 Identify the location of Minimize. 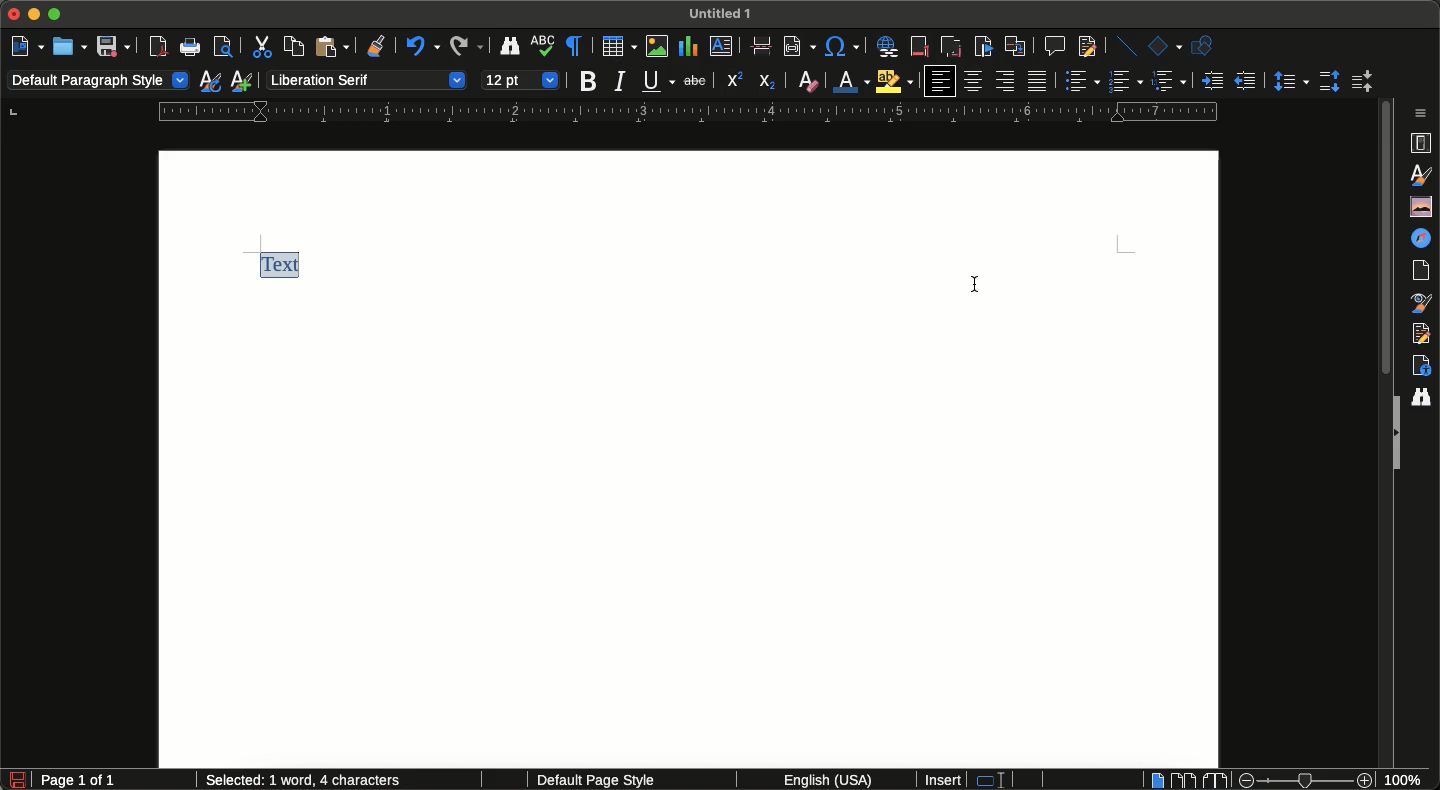
(37, 16).